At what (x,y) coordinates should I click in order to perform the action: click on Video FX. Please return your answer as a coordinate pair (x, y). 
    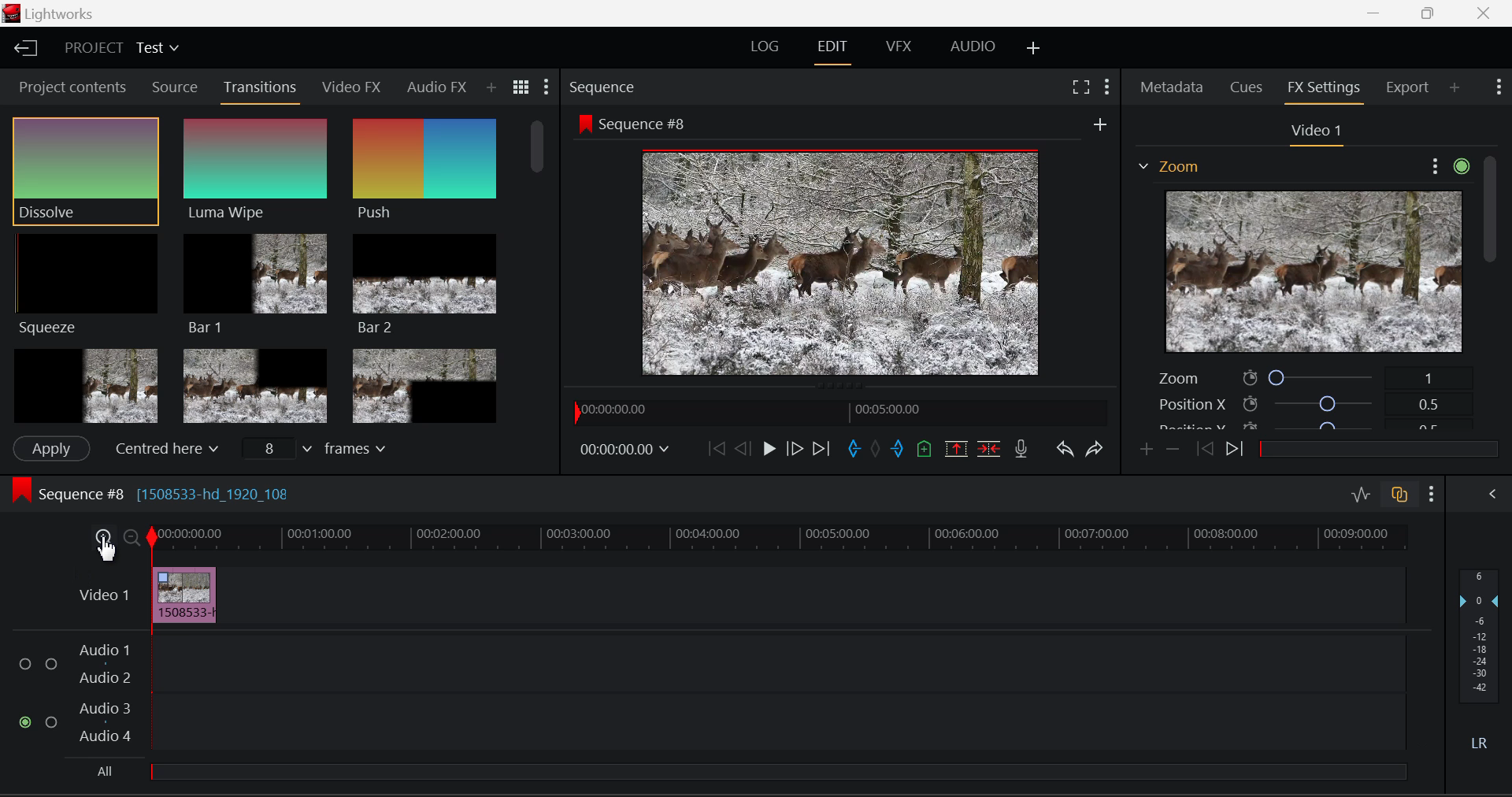
    Looking at the image, I should click on (351, 85).